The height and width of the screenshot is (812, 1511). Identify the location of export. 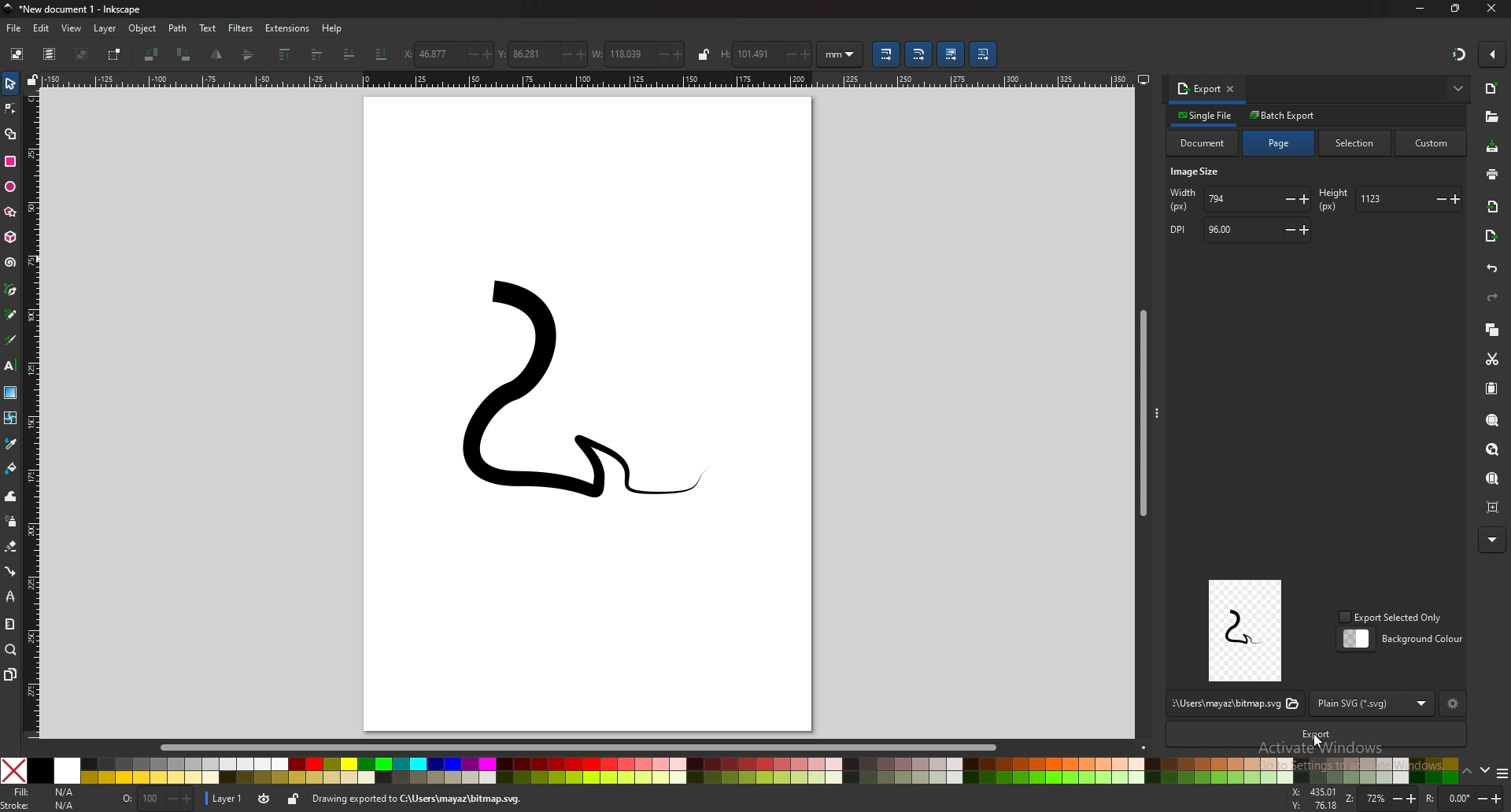
(1491, 238).